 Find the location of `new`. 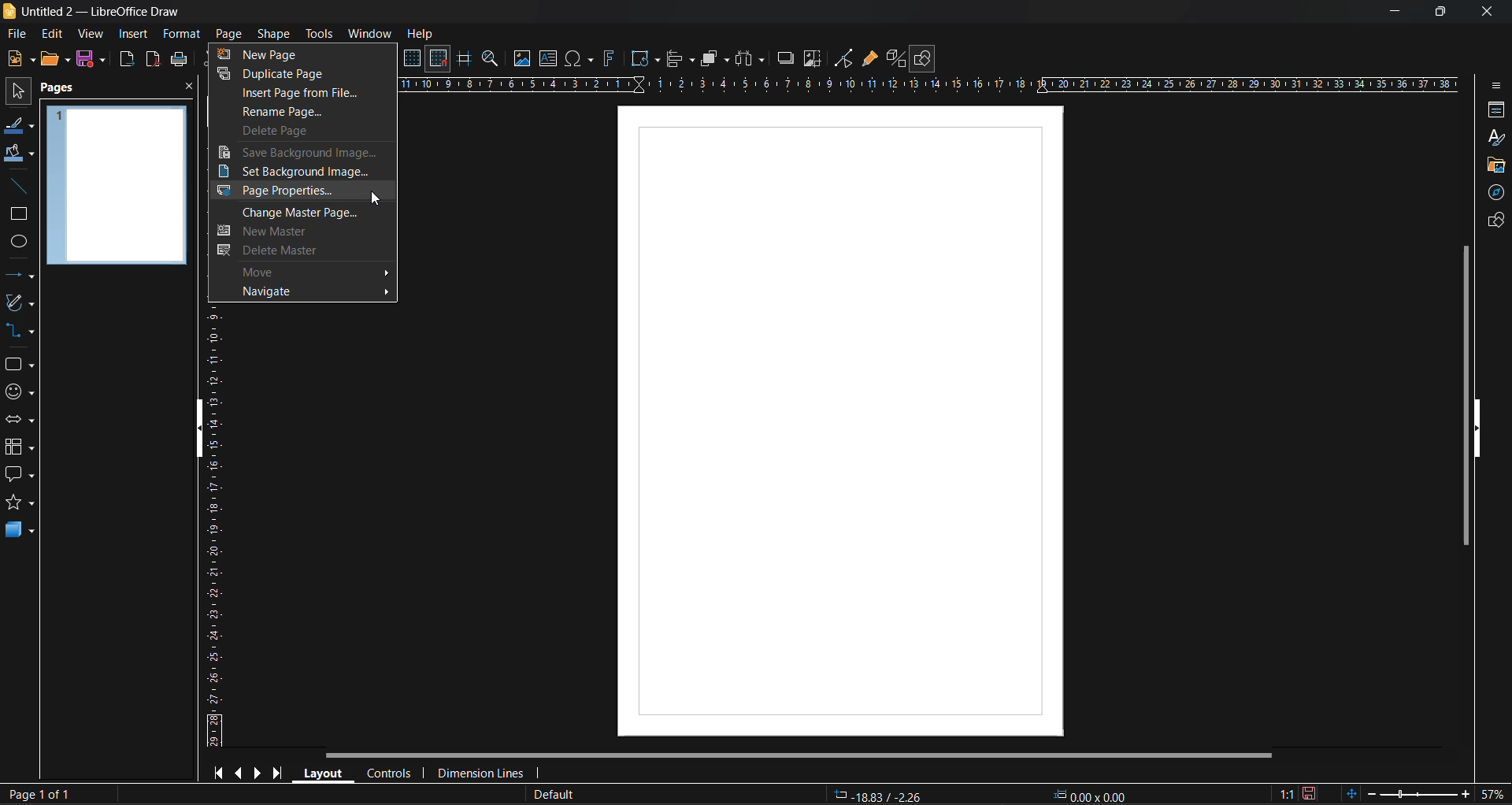

new is located at coordinates (17, 61).